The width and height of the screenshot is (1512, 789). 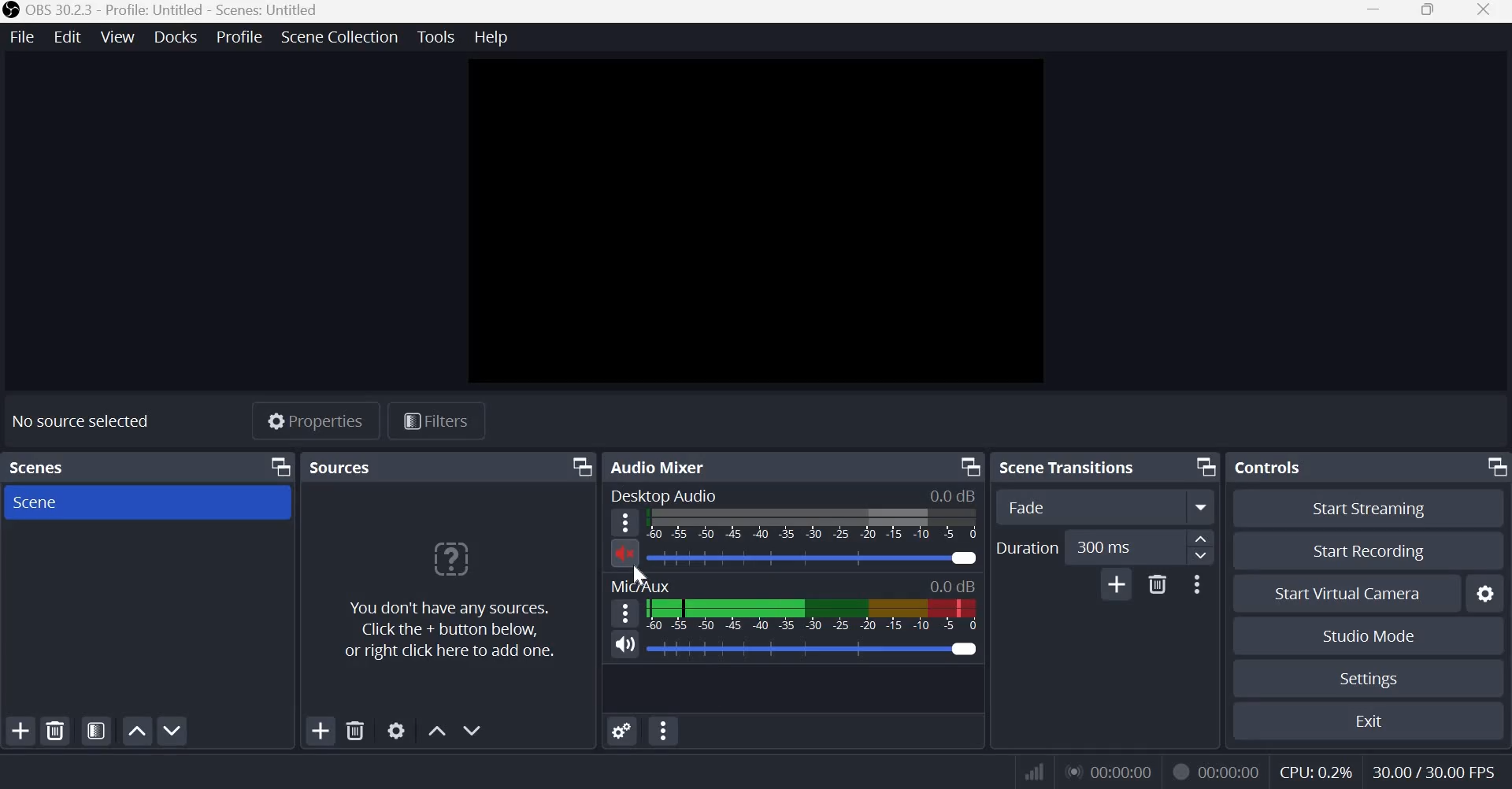 I want to click on Start streaming, so click(x=1370, y=511).